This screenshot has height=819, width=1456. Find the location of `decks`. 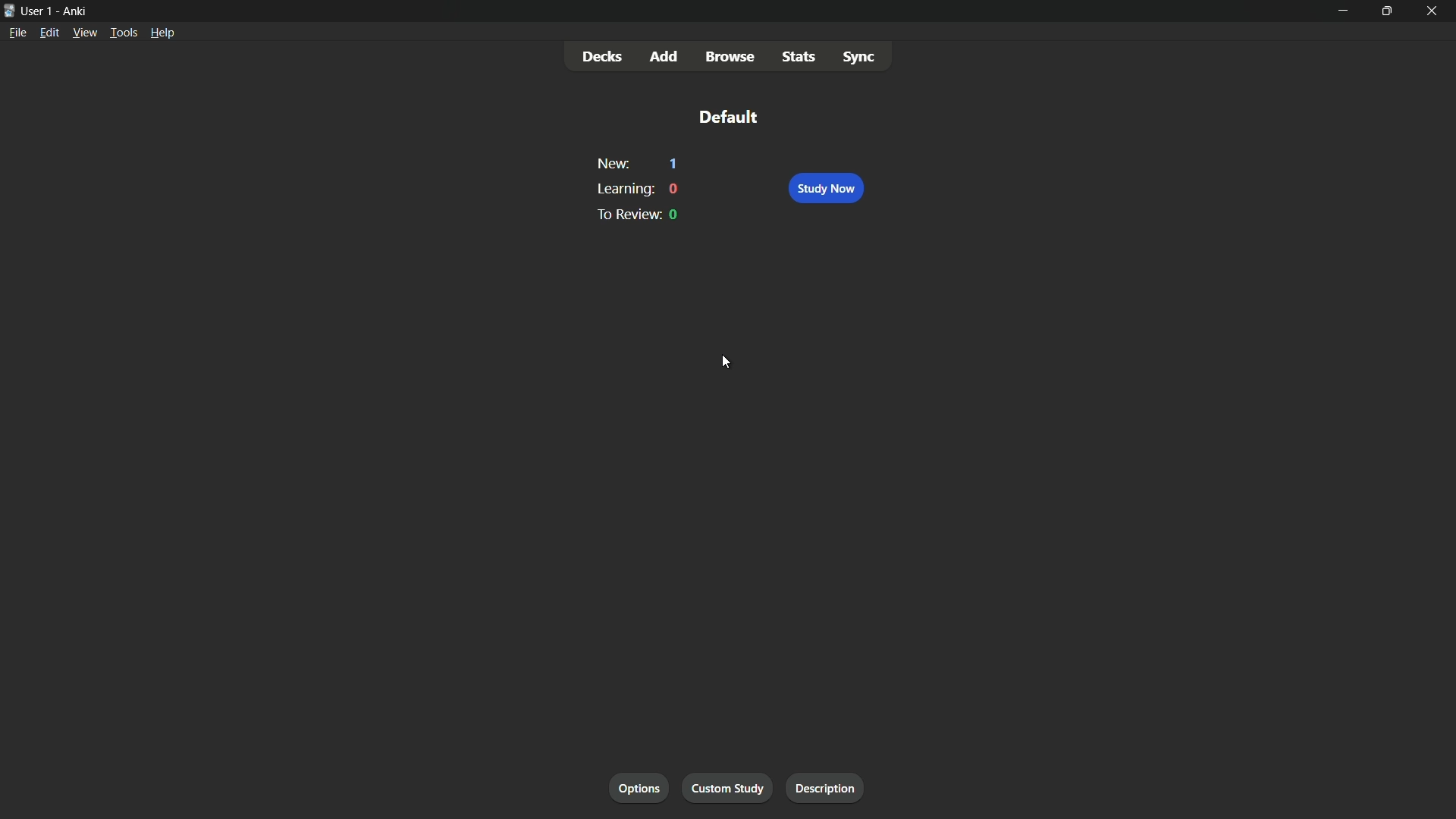

decks is located at coordinates (602, 58).